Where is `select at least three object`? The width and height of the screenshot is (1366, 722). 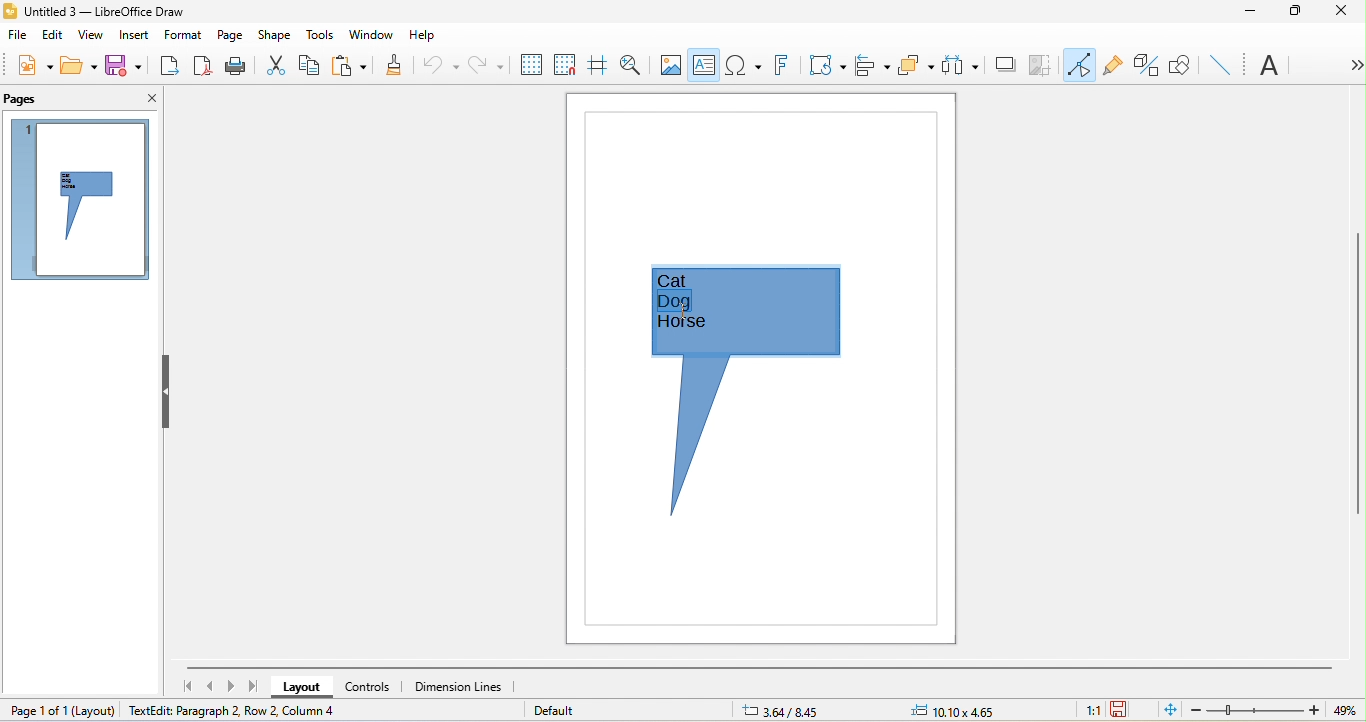 select at least three object is located at coordinates (960, 66).